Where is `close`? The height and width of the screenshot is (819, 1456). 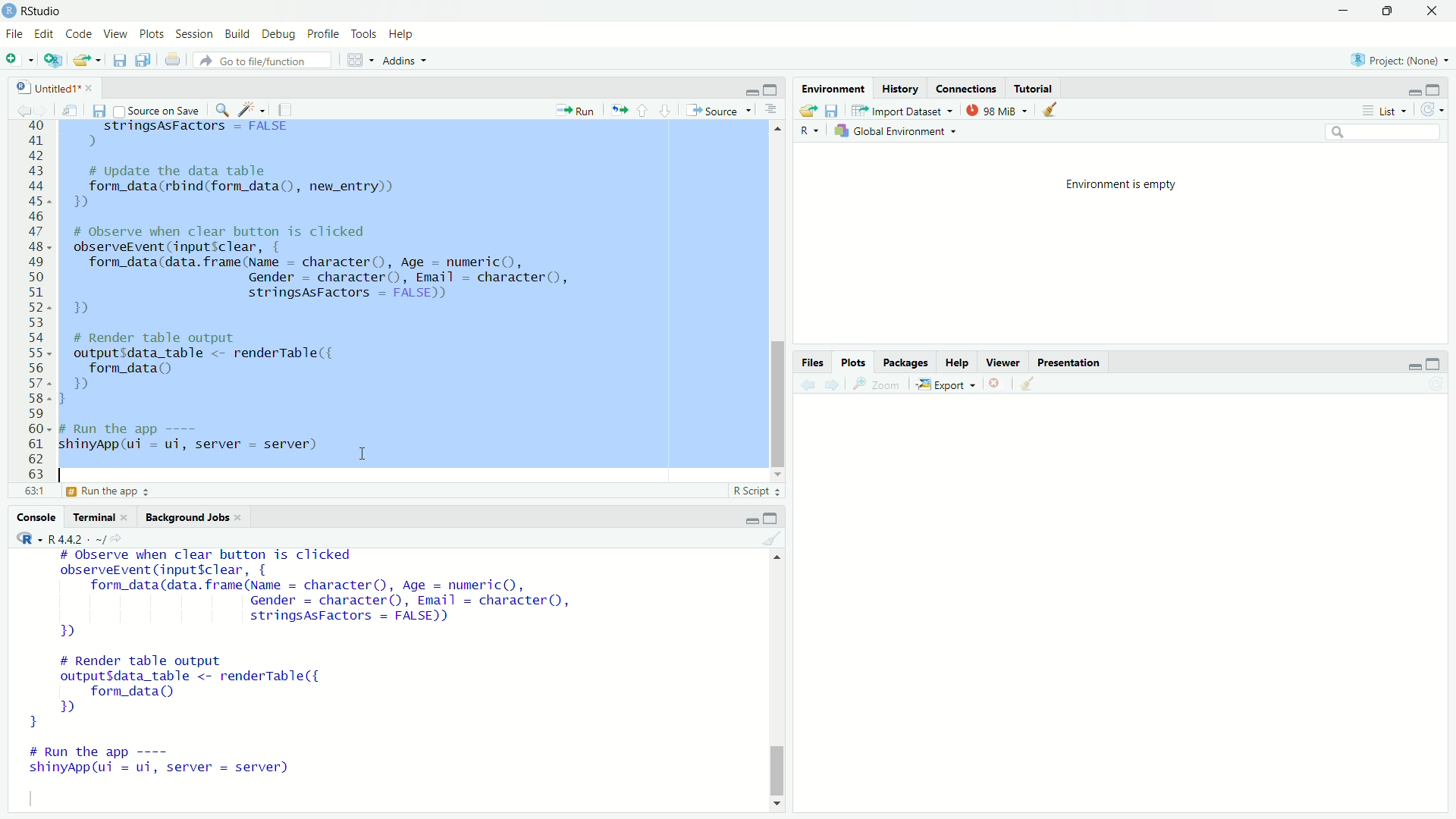 close is located at coordinates (243, 518).